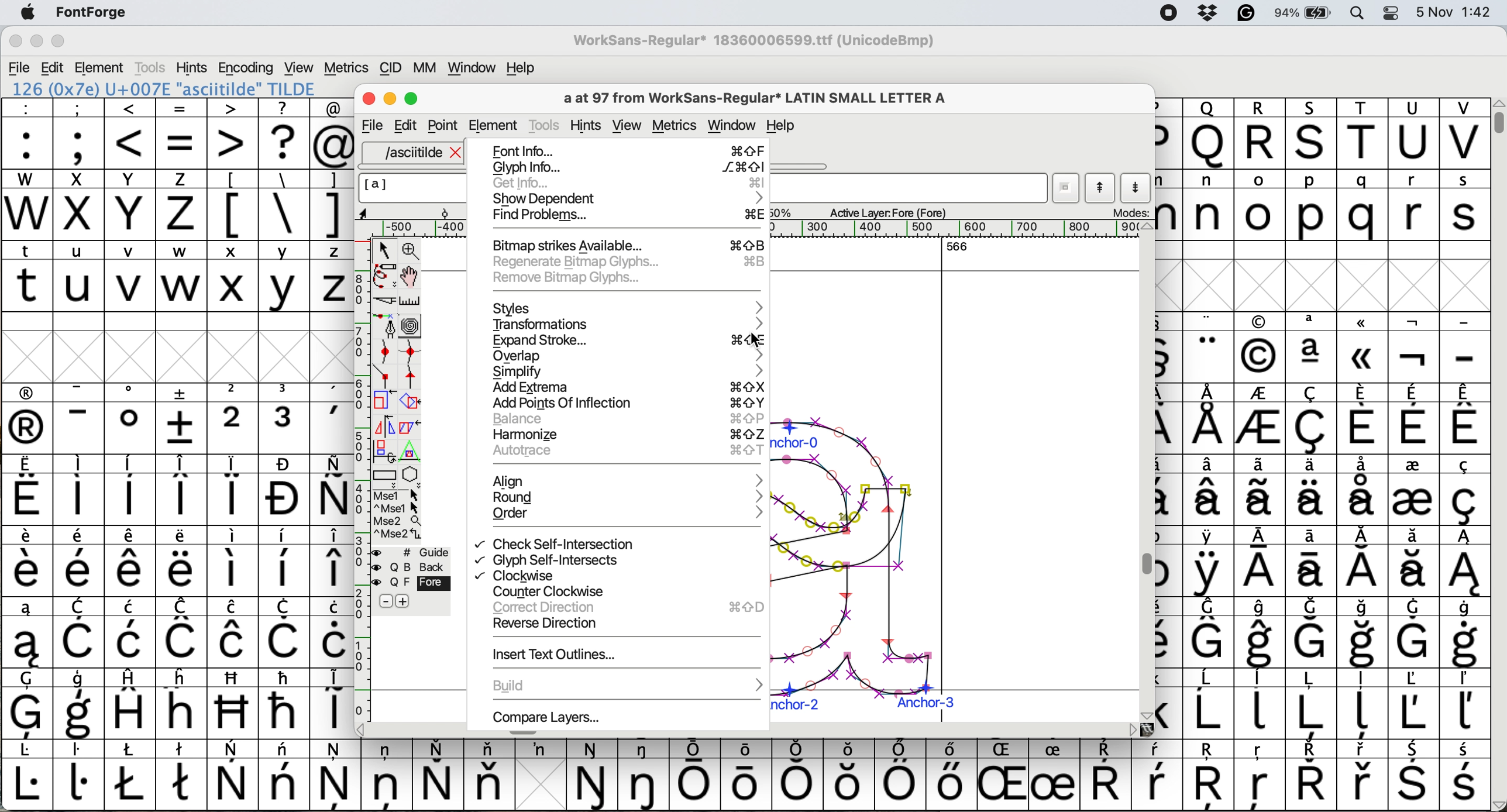  I want to click on r, so click(1412, 205).